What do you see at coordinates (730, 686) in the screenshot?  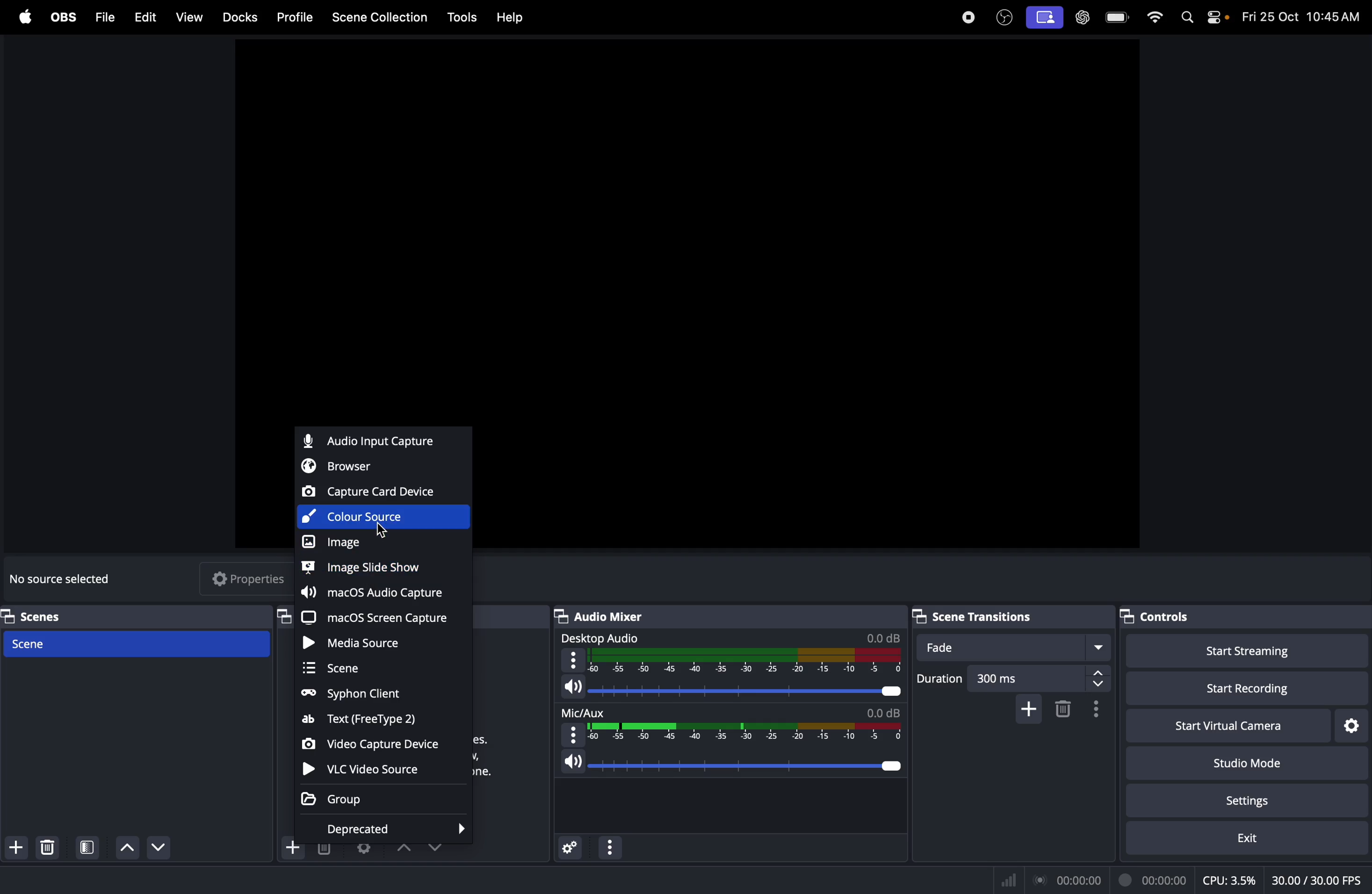 I see `audio level` at bounding box center [730, 686].